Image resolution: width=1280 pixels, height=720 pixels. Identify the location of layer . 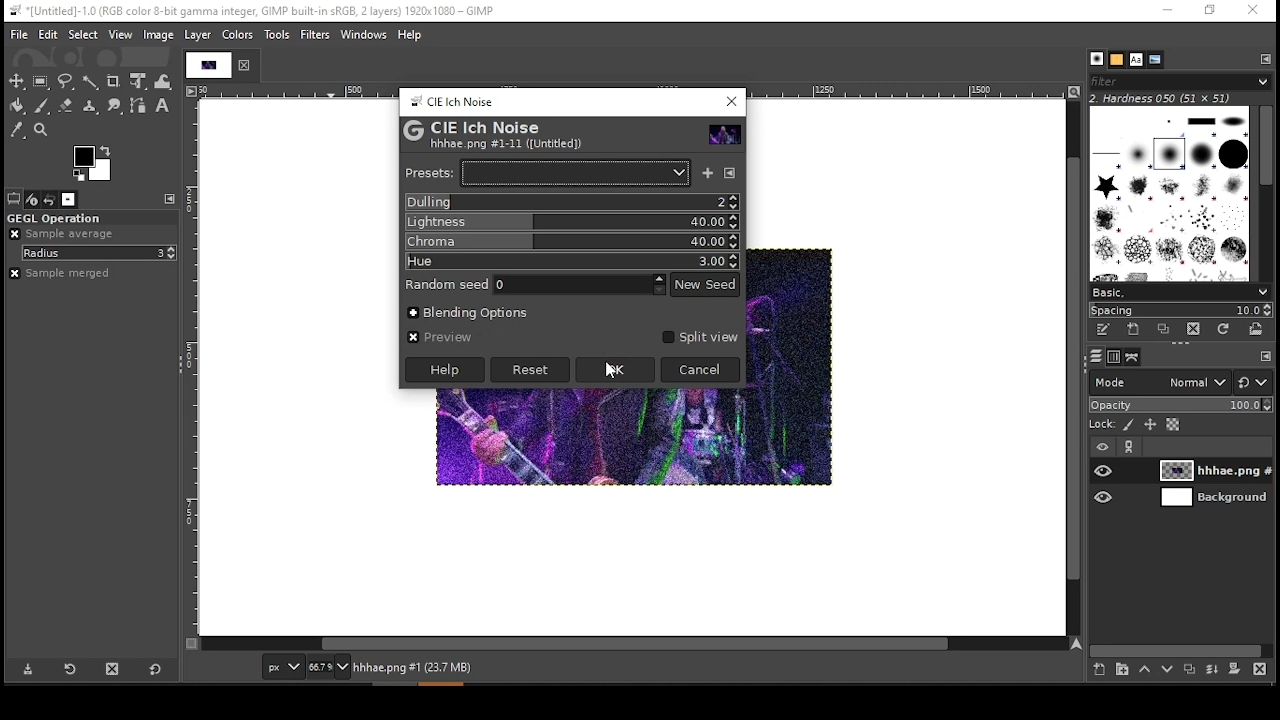
(1203, 471).